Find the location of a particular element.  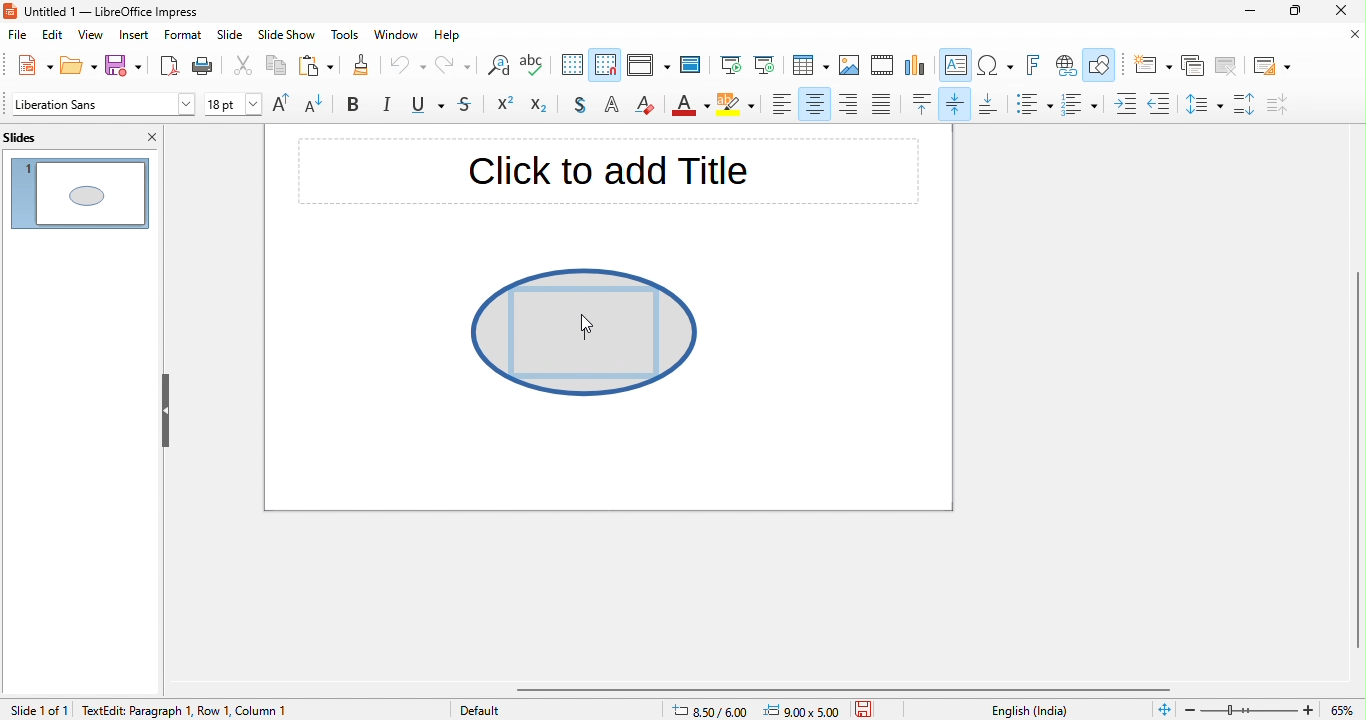

clone formatting  is located at coordinates (359, 67).